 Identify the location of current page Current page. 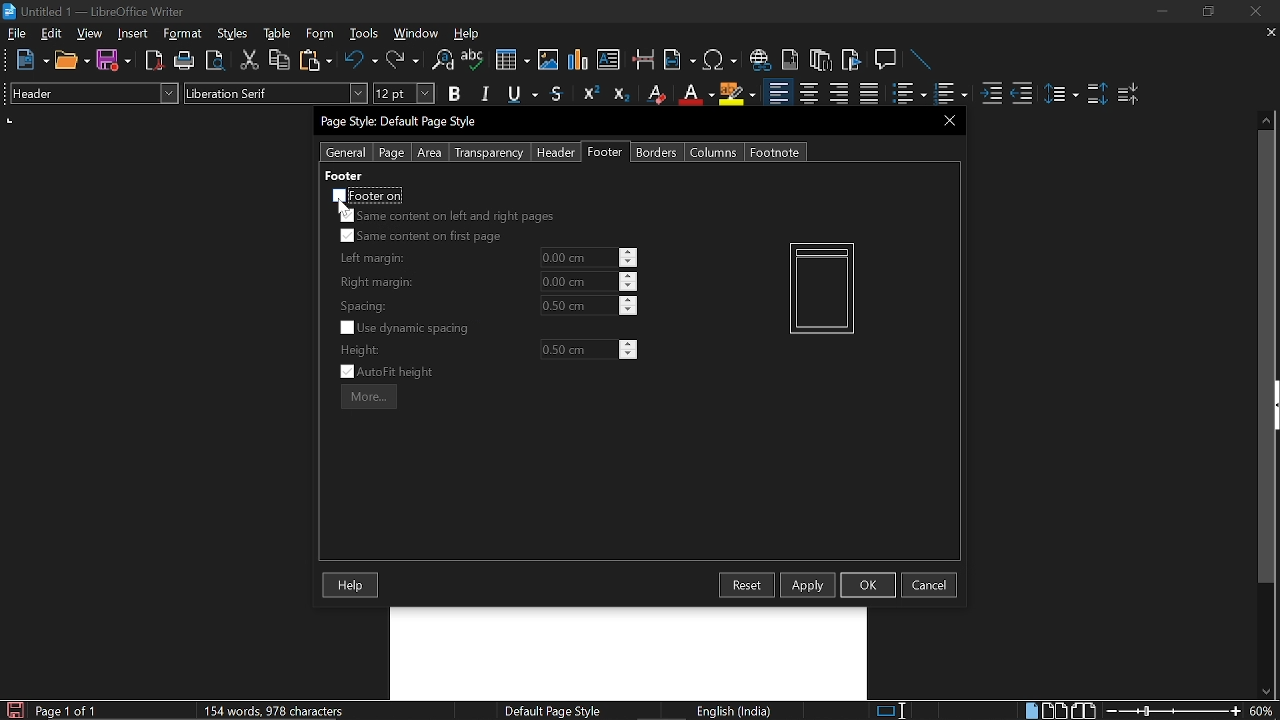
(65, 710).